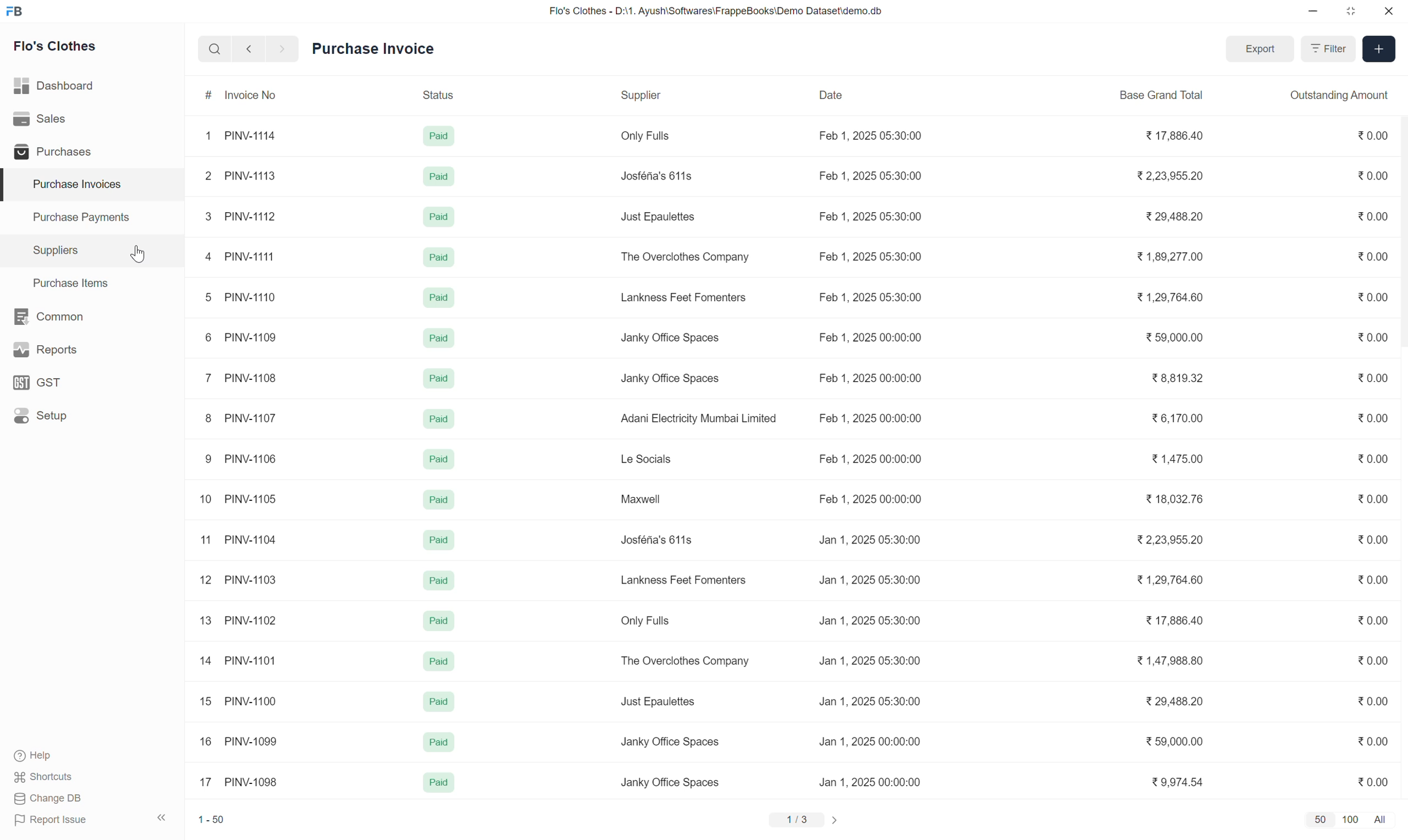 The image size is (1408, 840). Describe the element at coordinates (873, 337) in the screenshot. I see `Feb 1, 2025 00:00:00` at that location.